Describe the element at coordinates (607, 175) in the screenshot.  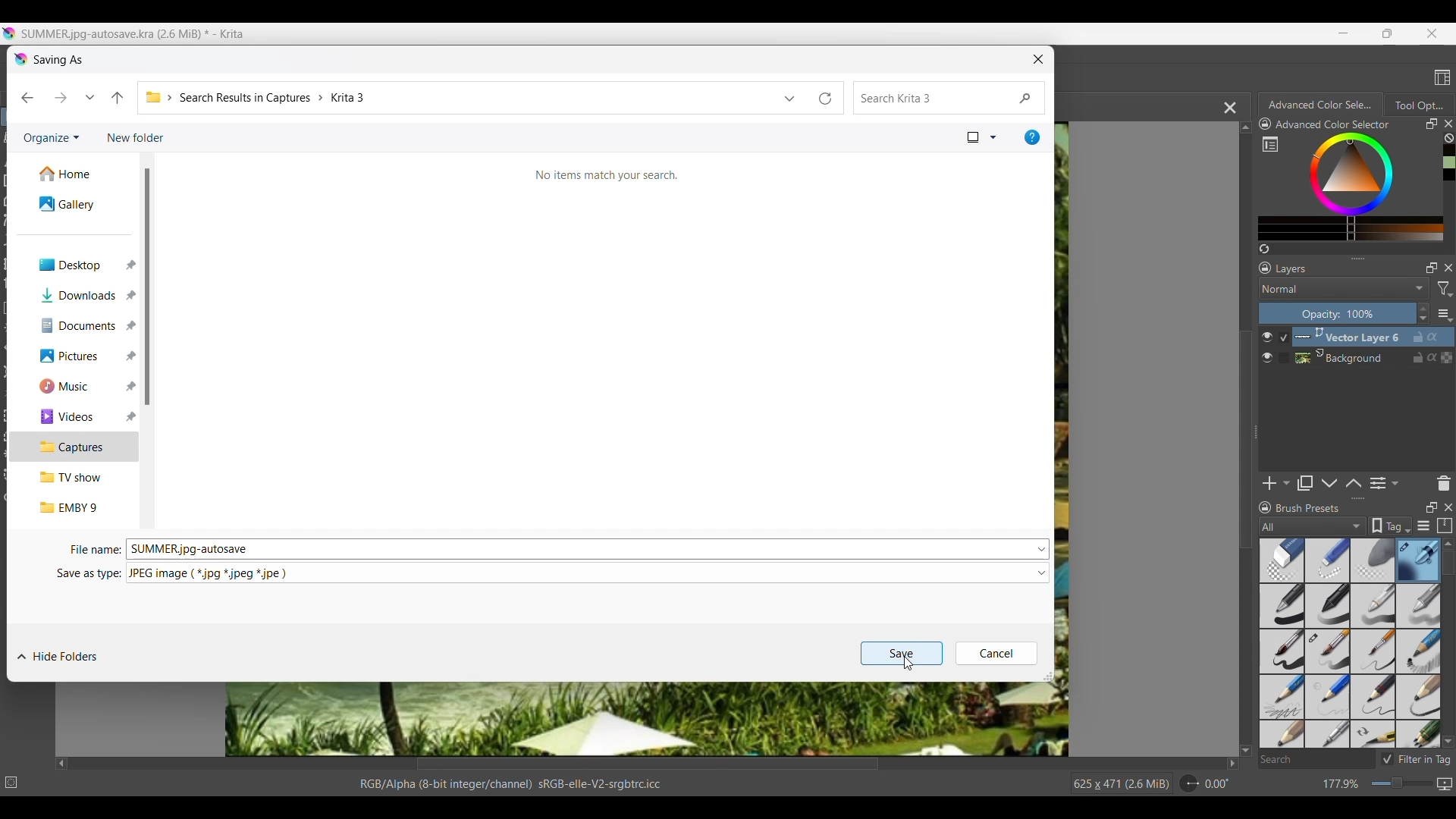
I see `Description of current folder` at that location.